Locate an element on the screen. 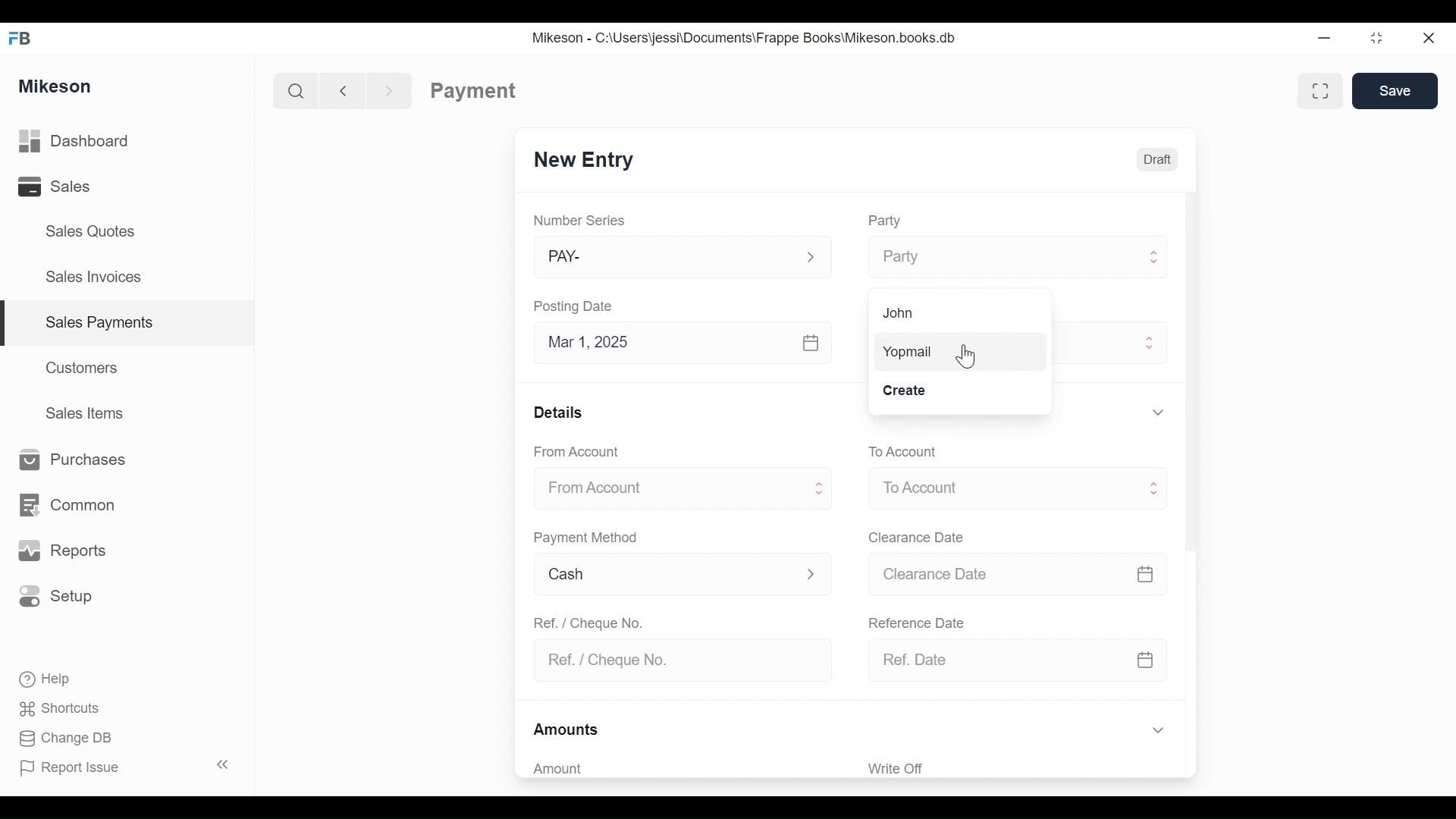  Purchases is located at coordinates (72, 460).